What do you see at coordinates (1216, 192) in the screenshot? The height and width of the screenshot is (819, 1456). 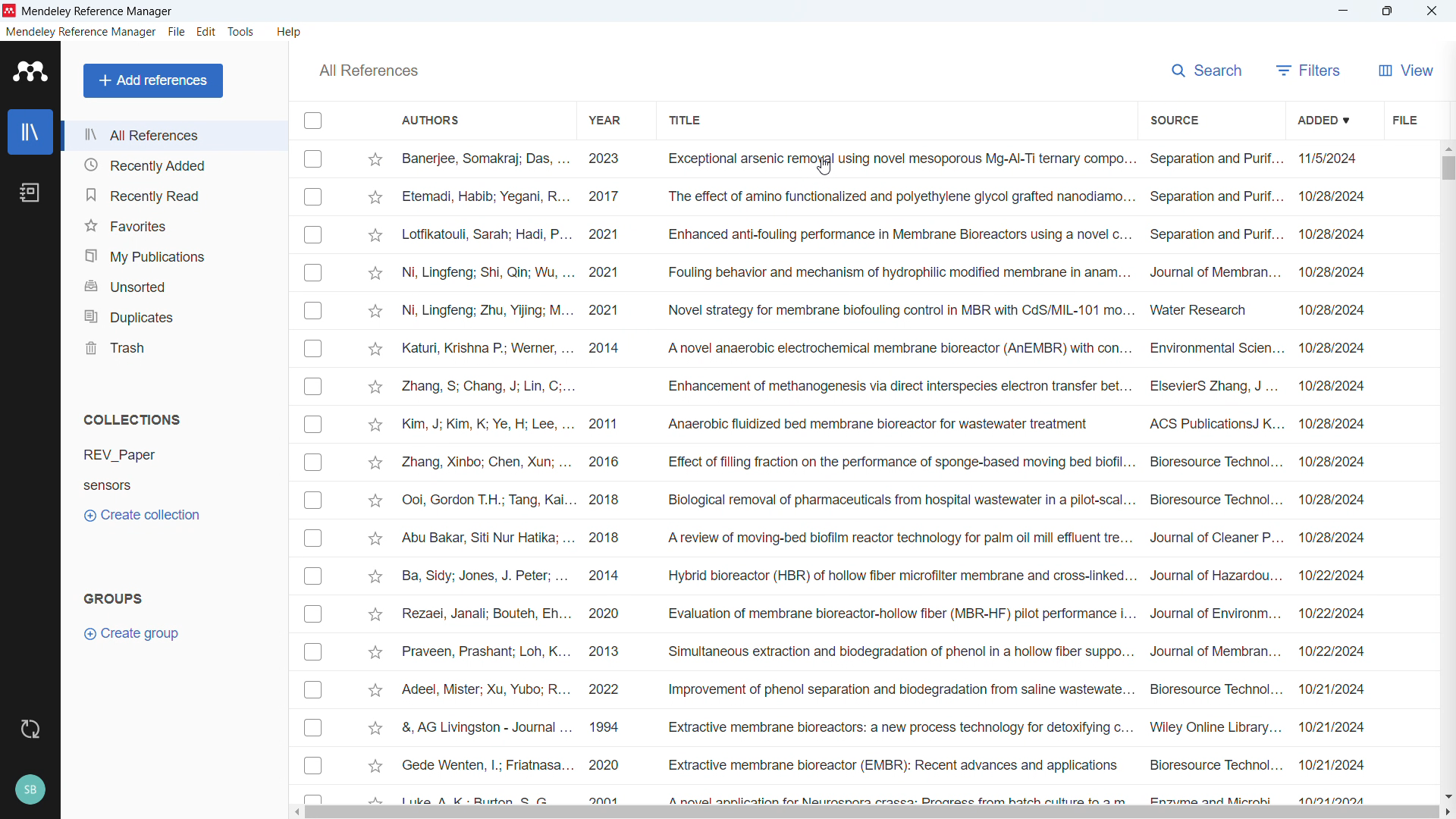 I see `separation and purif..` at bounding box center [1216, 192].